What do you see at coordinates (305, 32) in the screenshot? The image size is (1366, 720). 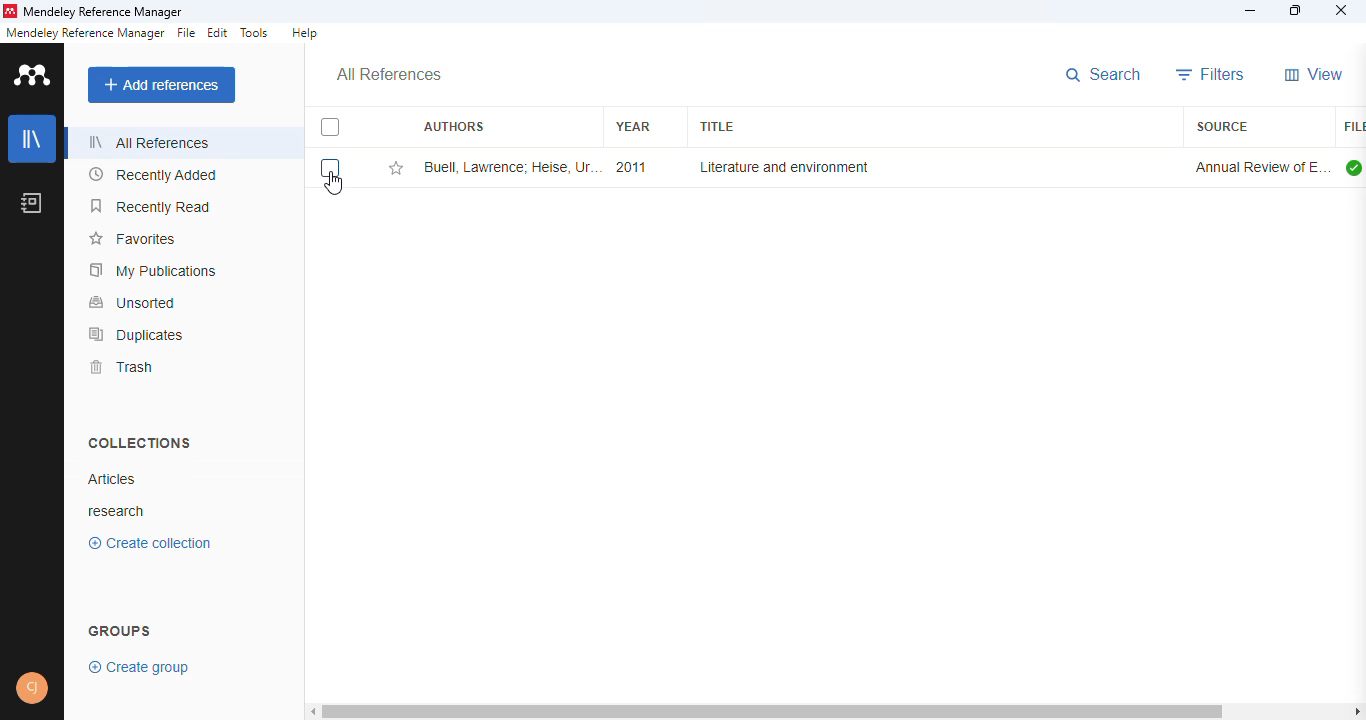 I see `help` at bounding box center [305, 32].